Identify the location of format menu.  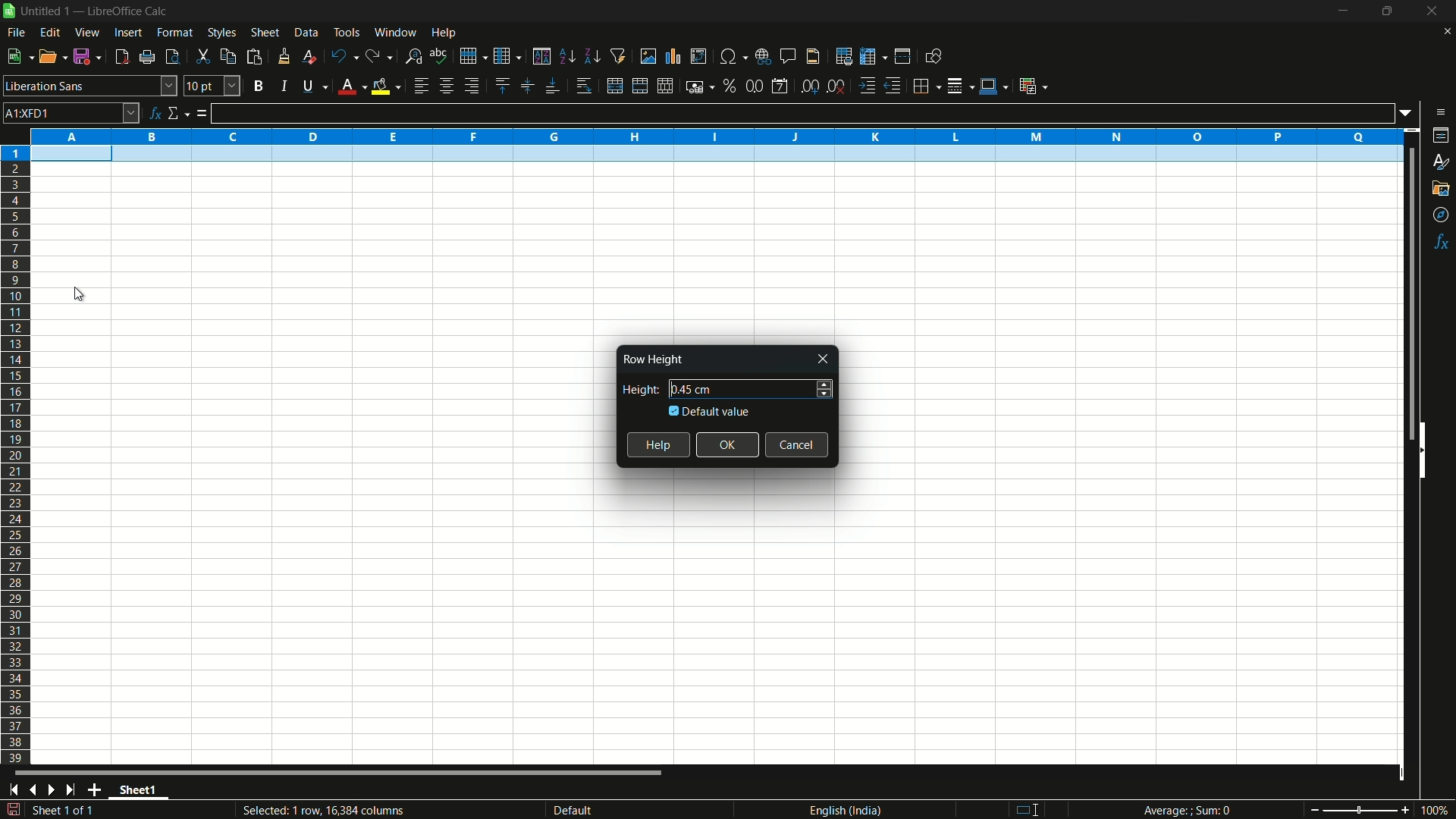
(175, 33).